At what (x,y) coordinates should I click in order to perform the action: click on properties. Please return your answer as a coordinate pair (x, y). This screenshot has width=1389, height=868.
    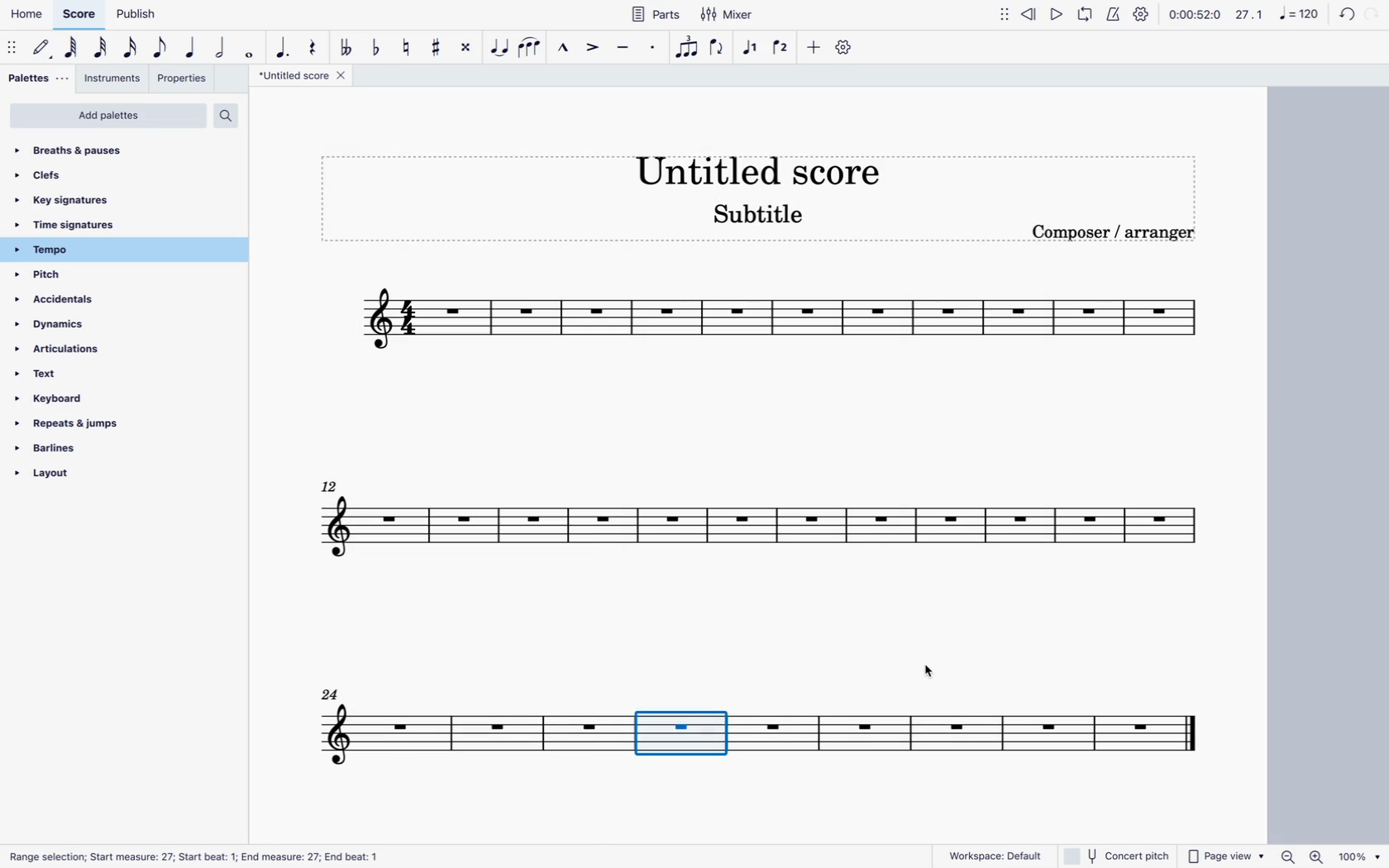
    Looking at the image, I should click on (187, 81).